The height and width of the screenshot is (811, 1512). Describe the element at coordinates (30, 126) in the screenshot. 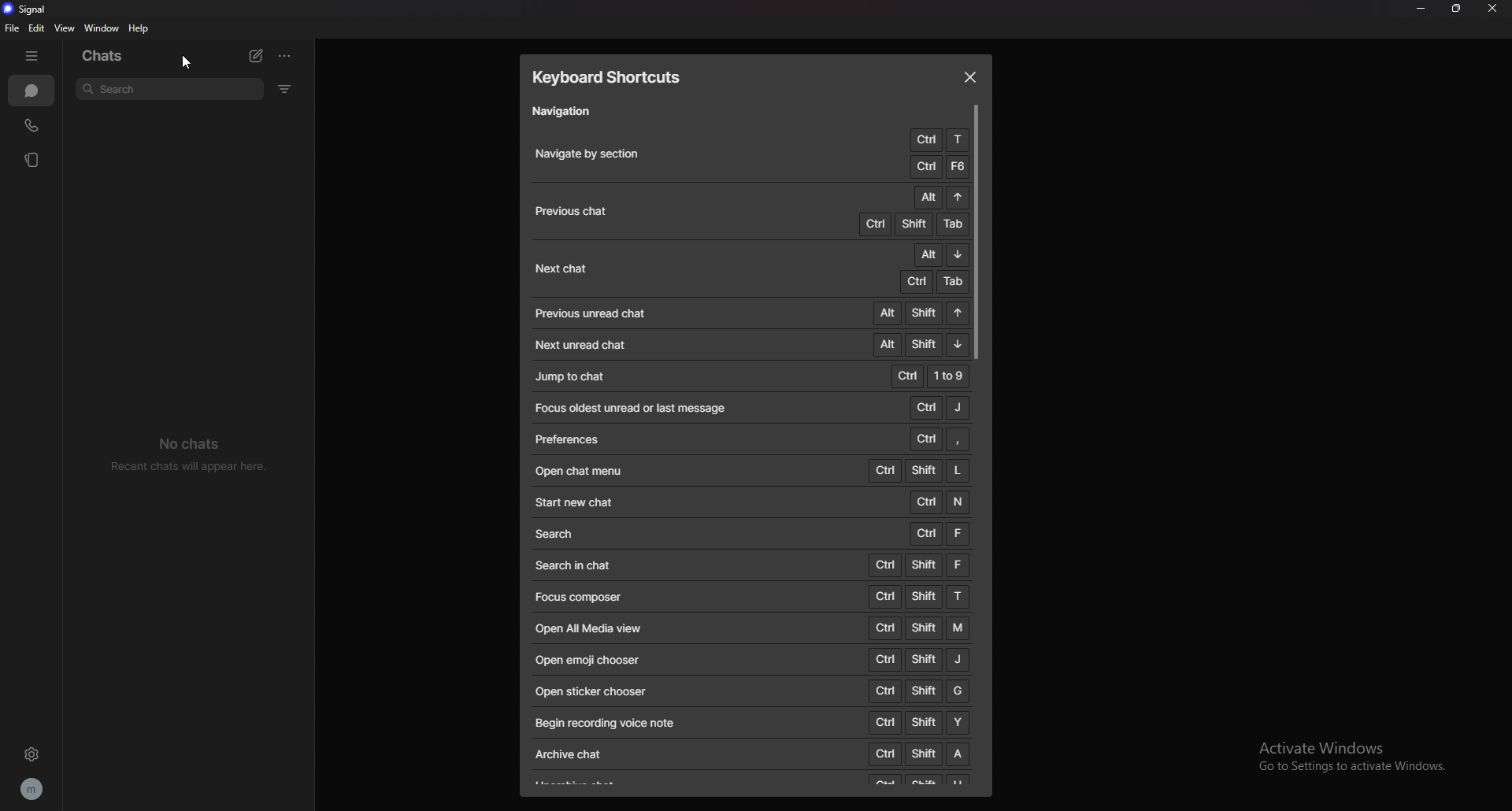

I see `calls` at that location.